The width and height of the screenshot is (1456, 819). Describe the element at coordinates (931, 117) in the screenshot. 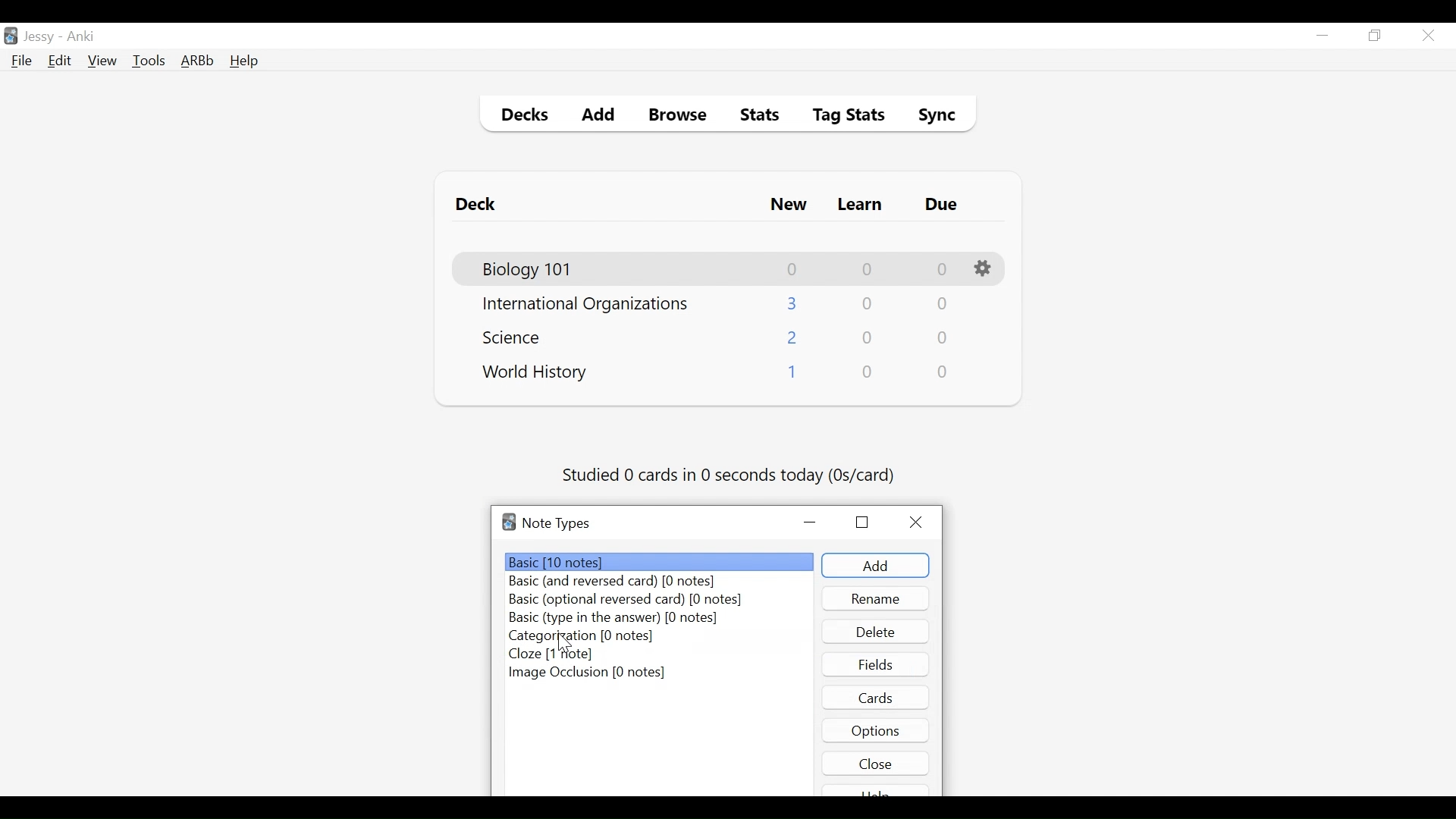

I see `Sybc` at that location.